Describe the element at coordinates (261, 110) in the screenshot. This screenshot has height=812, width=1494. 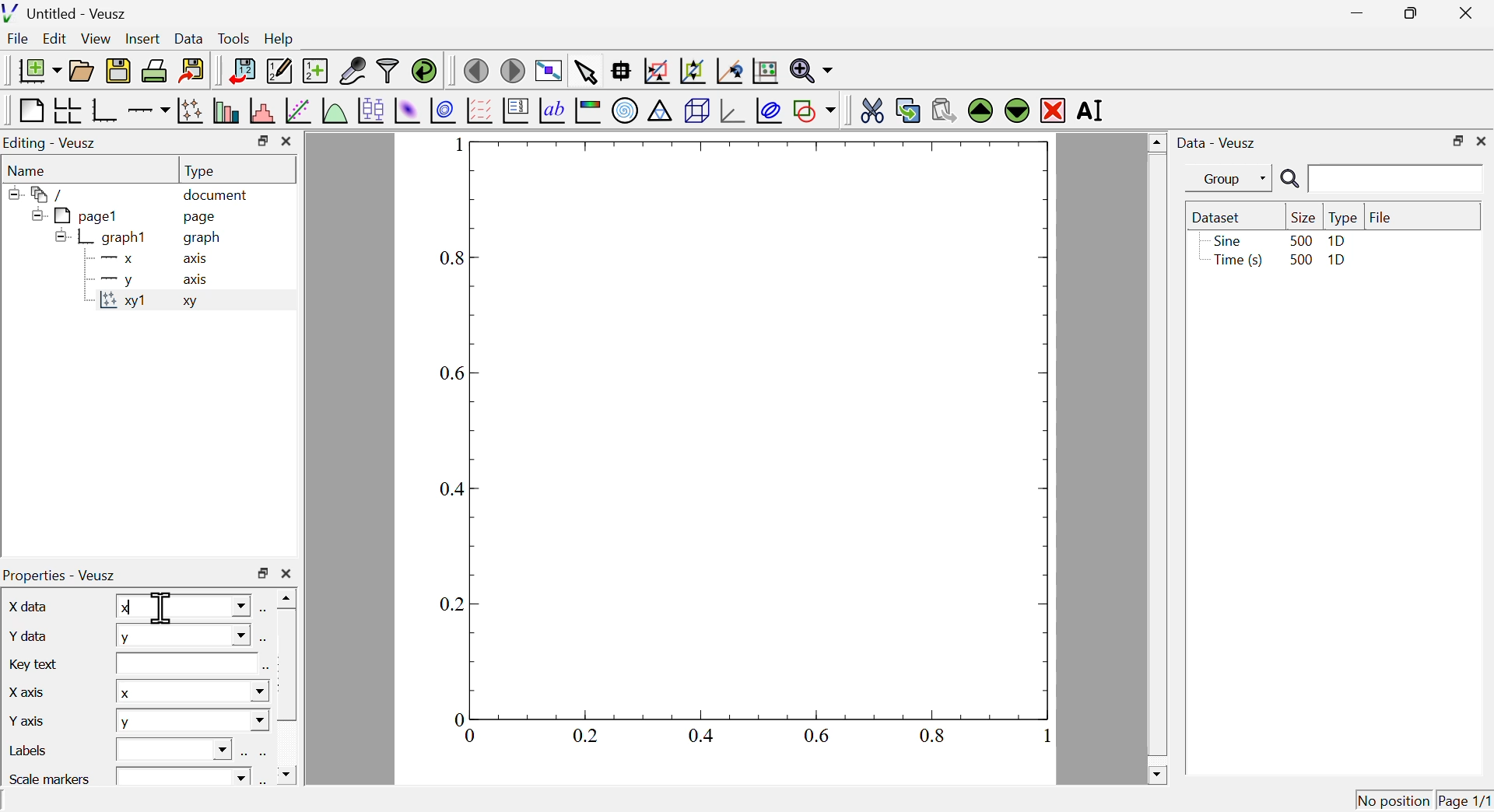
I see `histogram of a dataset` at that location.